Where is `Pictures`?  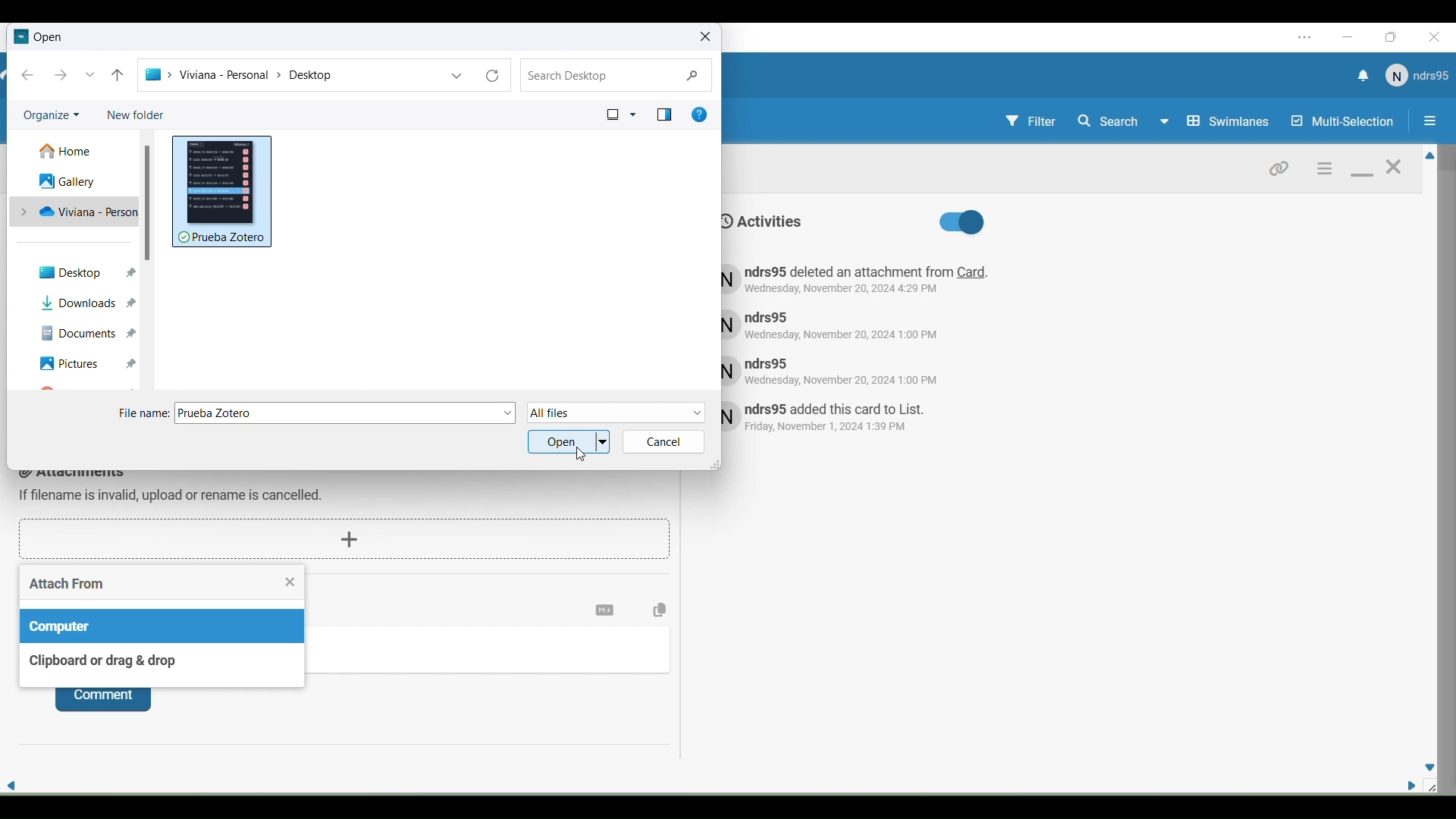
Pictures is located at coordinates (84, 364).